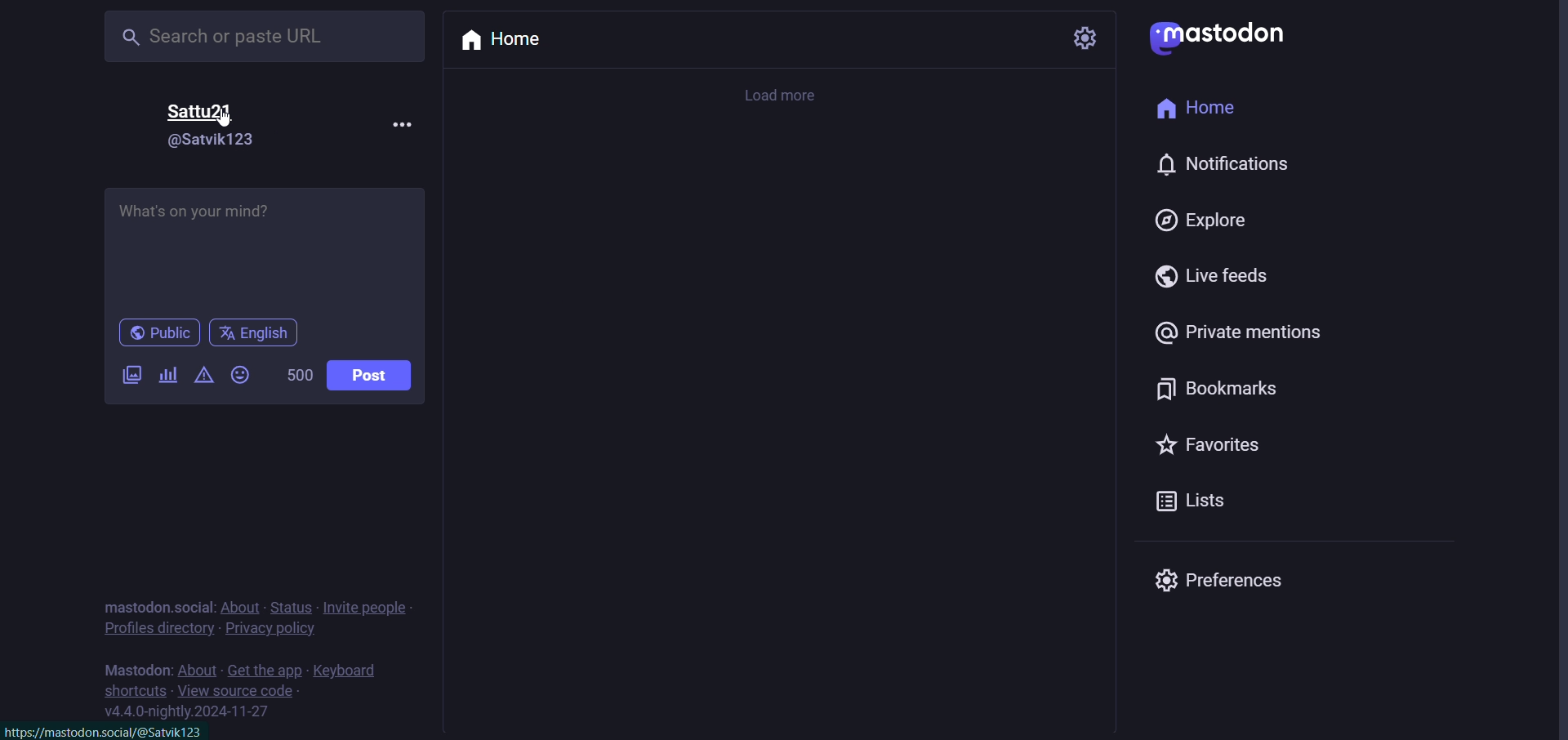  I want to click on private mentions, so click(1240, 332).